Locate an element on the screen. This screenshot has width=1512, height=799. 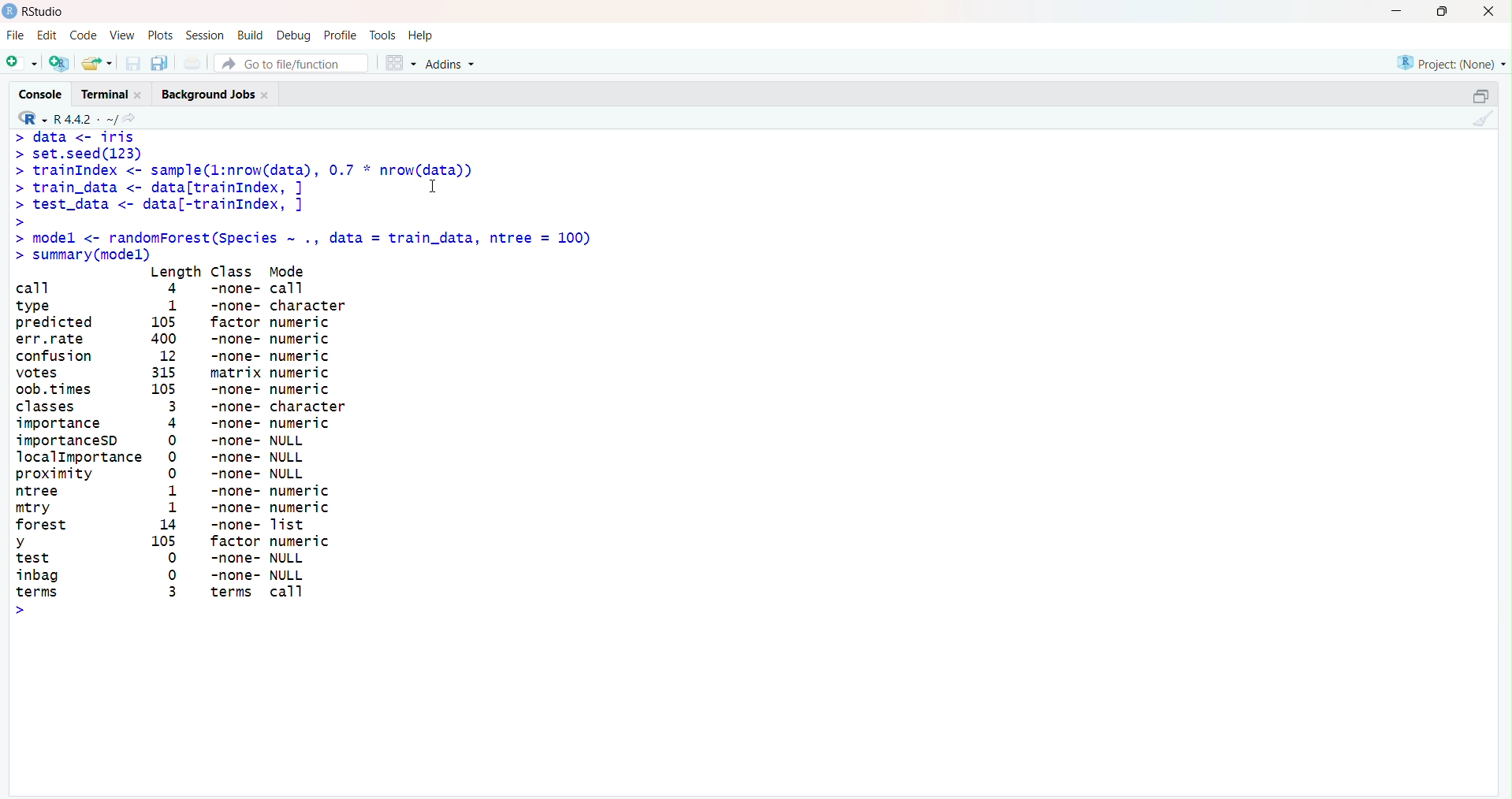
Profile is located at coordinates (340, 35).